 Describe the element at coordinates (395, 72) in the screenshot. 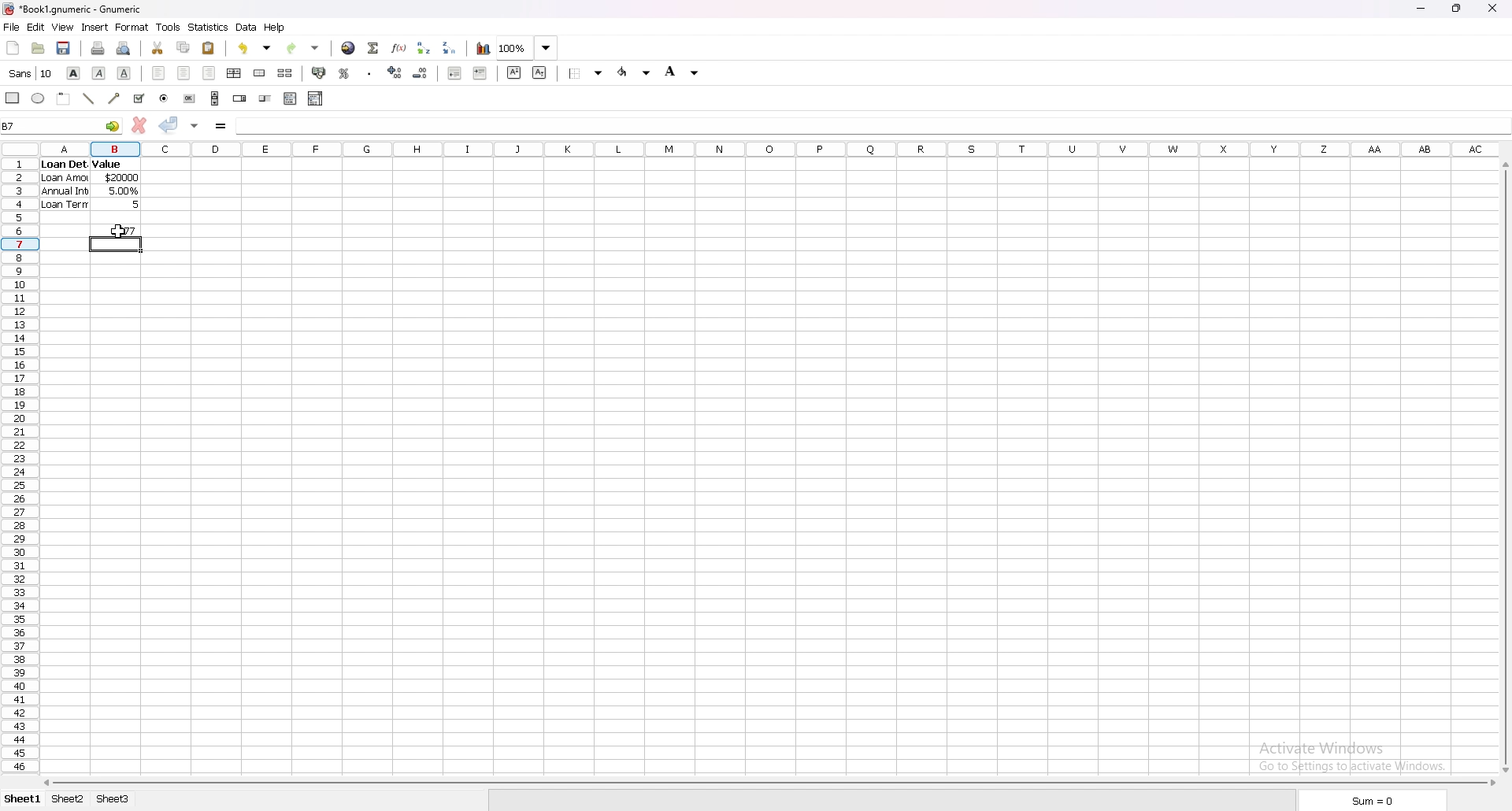

I see `increase decimals` at that location.